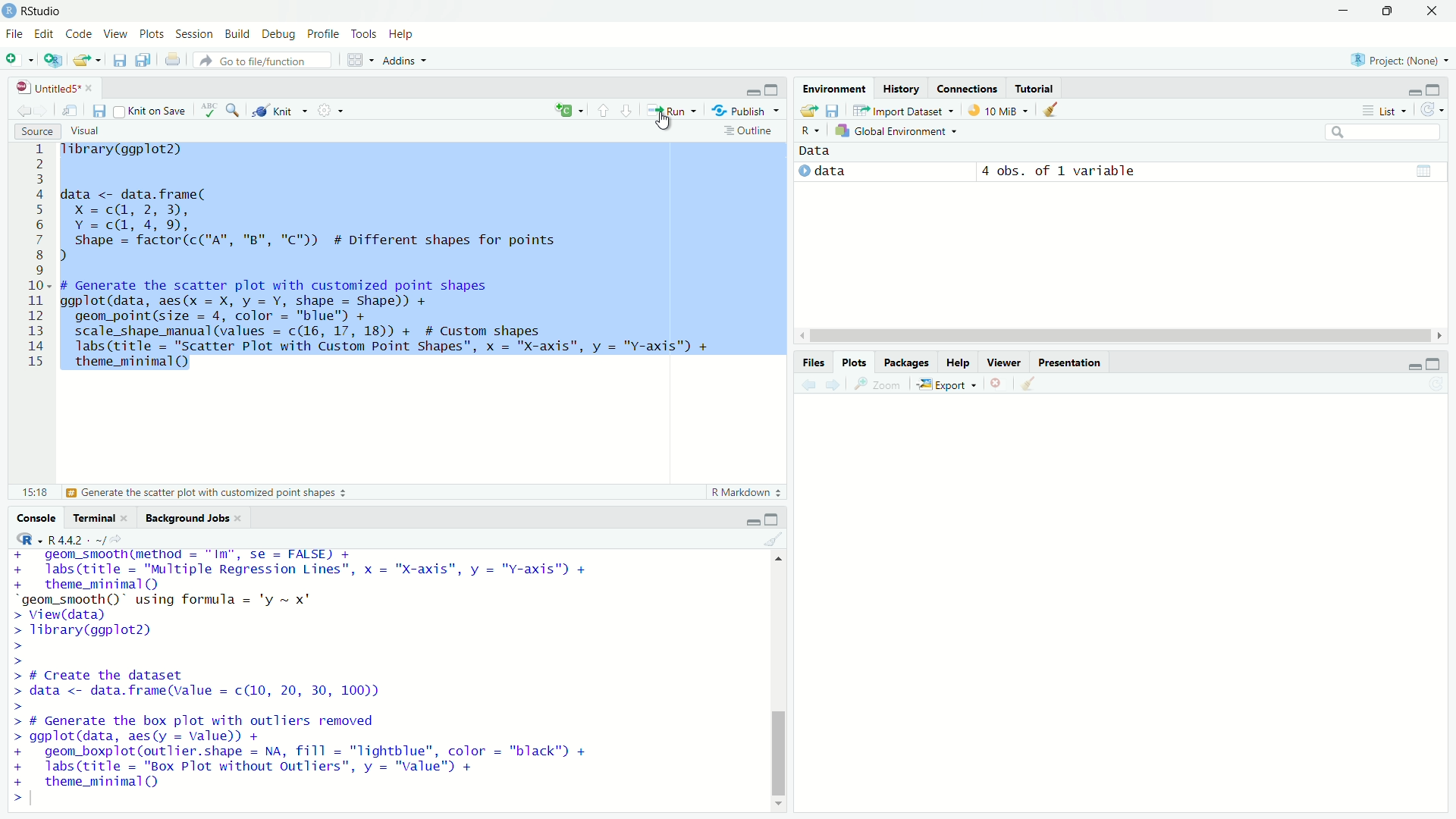  What do you see at coordinates (946, 384) in the screenshot?
I see `Export` at bounding box center [946, 384].